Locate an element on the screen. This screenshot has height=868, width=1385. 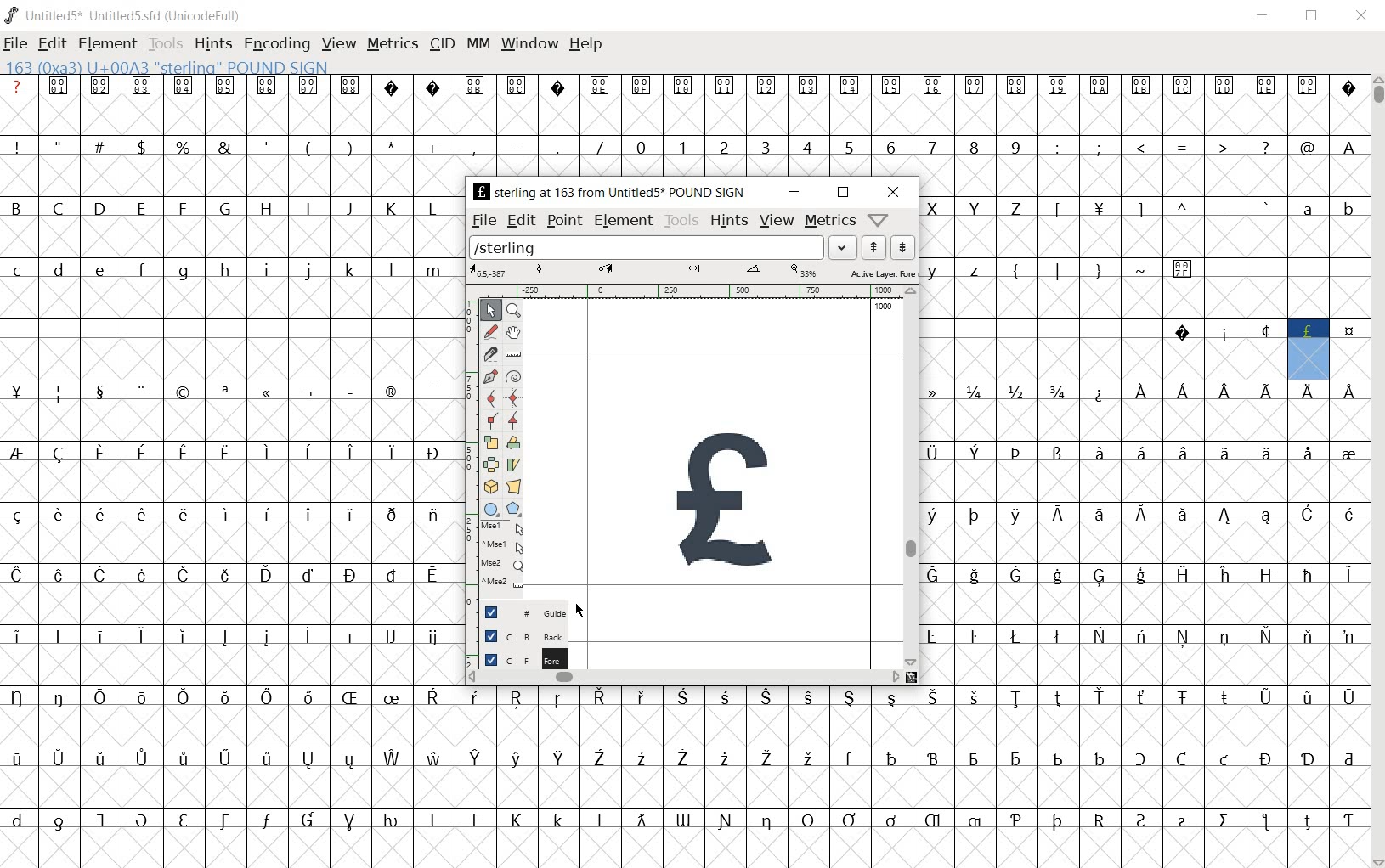
Symbol is located at coordinates (599, 821).